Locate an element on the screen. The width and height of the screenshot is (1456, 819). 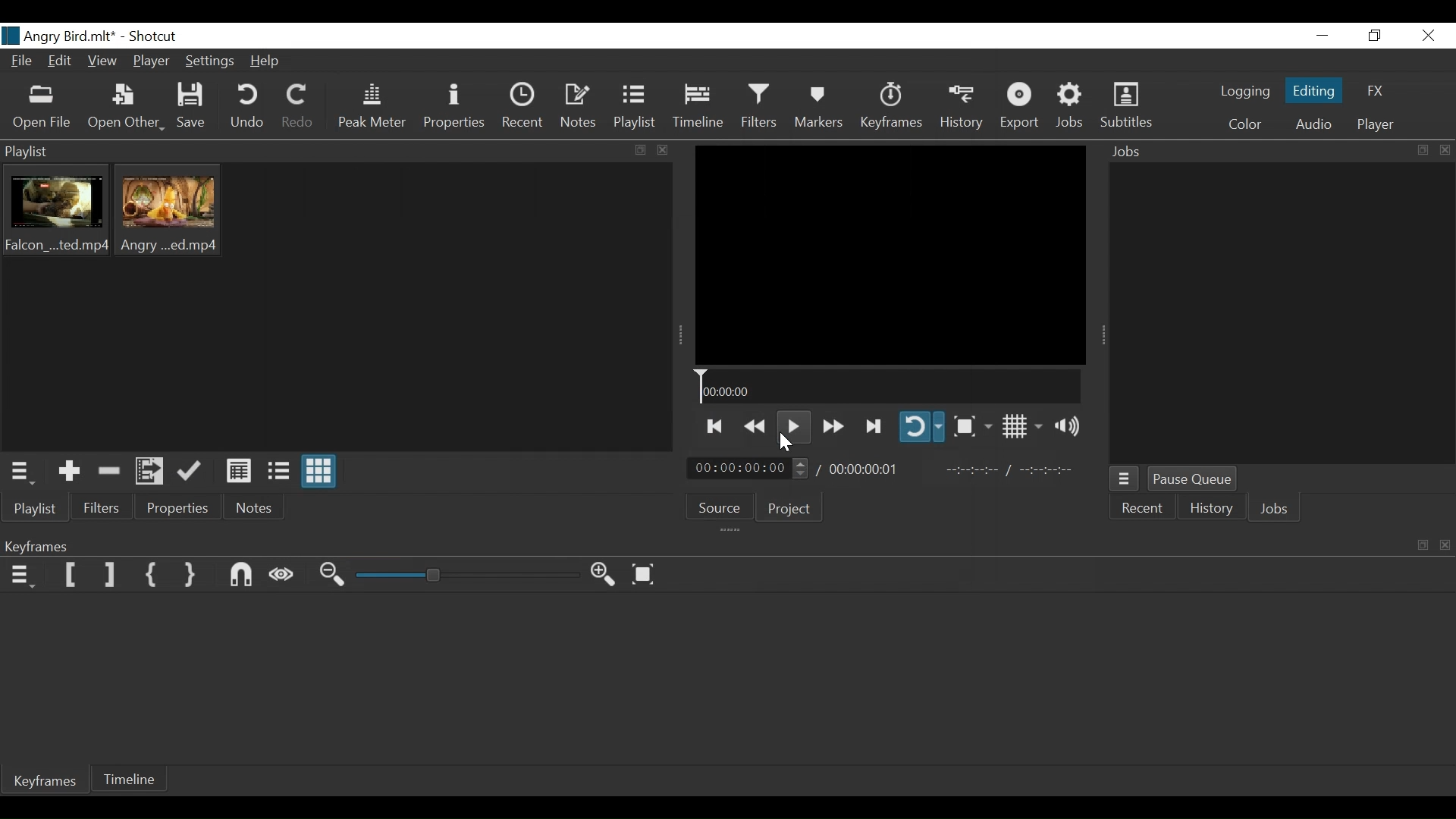
Timeline is located at coordinates (130, 779).